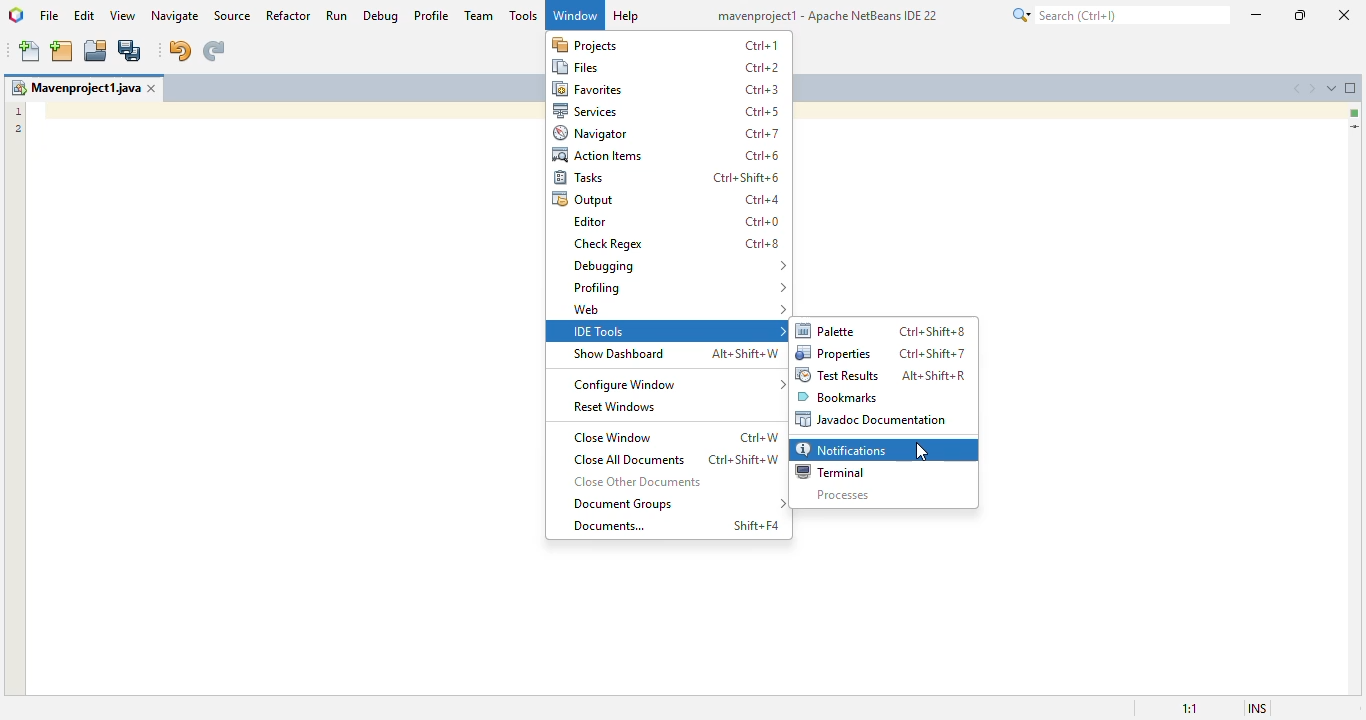  What do you see at coordinates (1345, 15) in the screenshot?
I see `close` at bounding box center [1345, 15].